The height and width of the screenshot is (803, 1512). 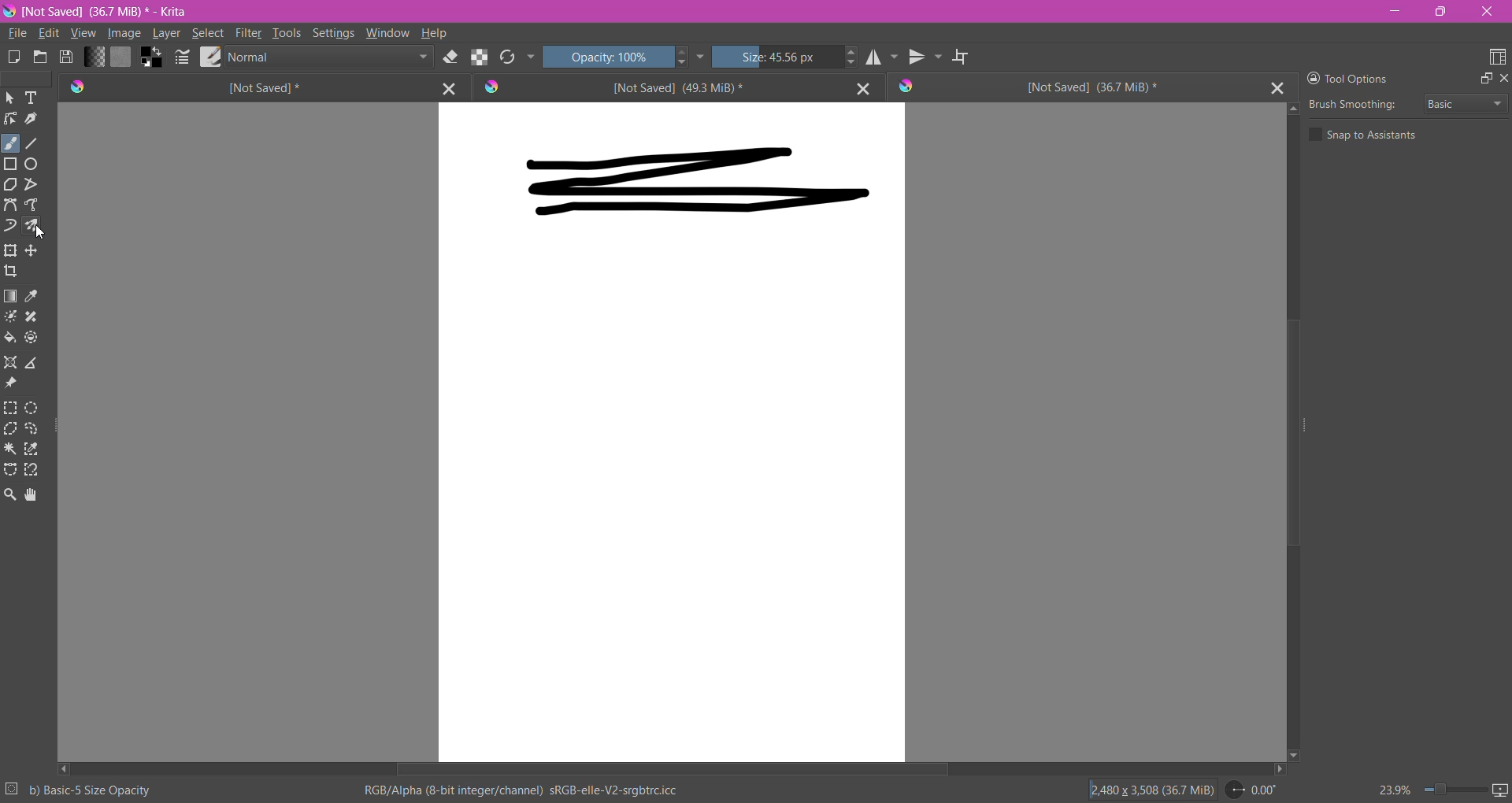 What do you see at coordinates (11, 164) in the screenshot?
I see `Rectangle Tool` at bounding box center [11, 164].